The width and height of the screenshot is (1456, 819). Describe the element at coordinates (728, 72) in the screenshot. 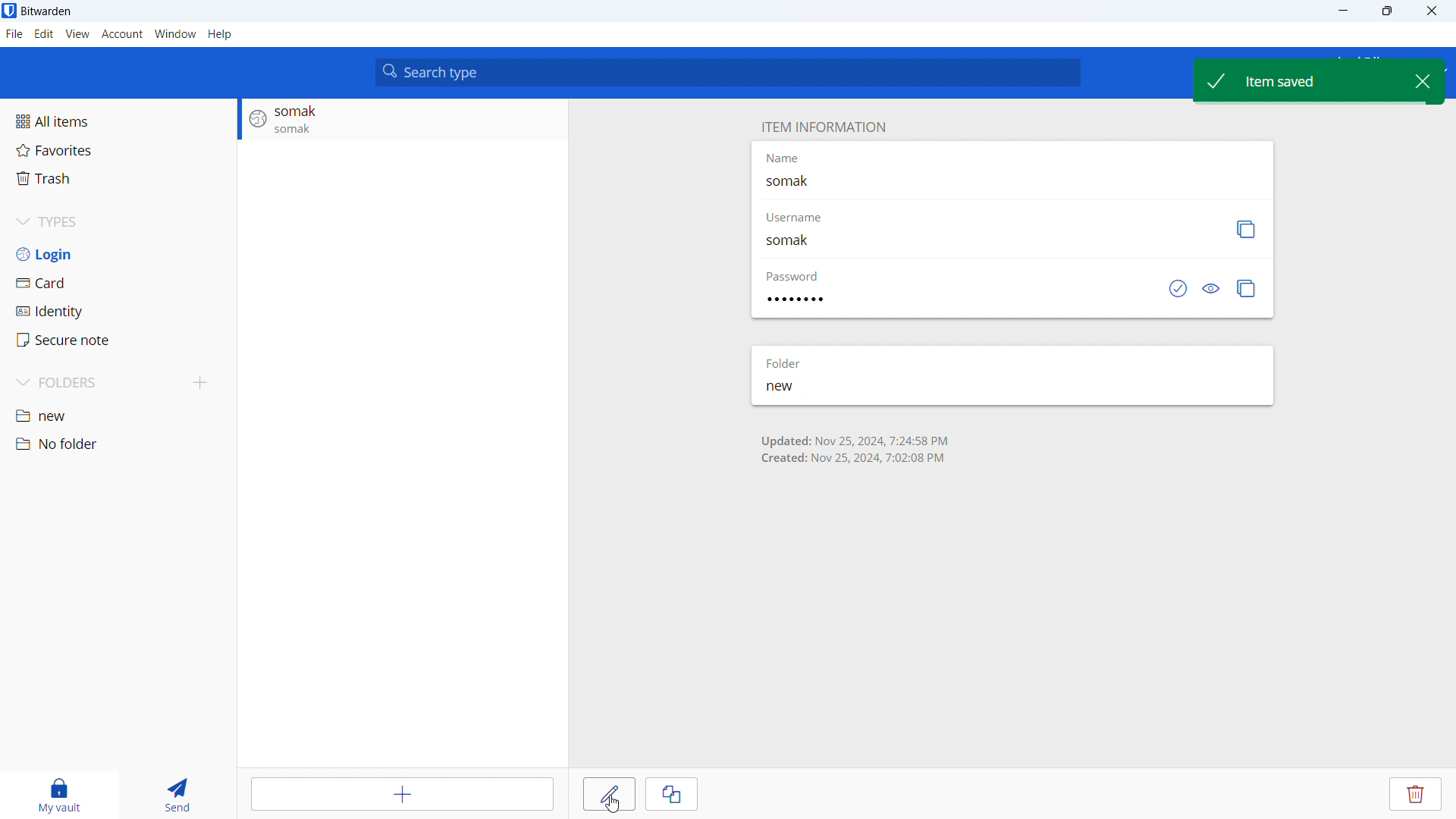

I see `search type` at that location.